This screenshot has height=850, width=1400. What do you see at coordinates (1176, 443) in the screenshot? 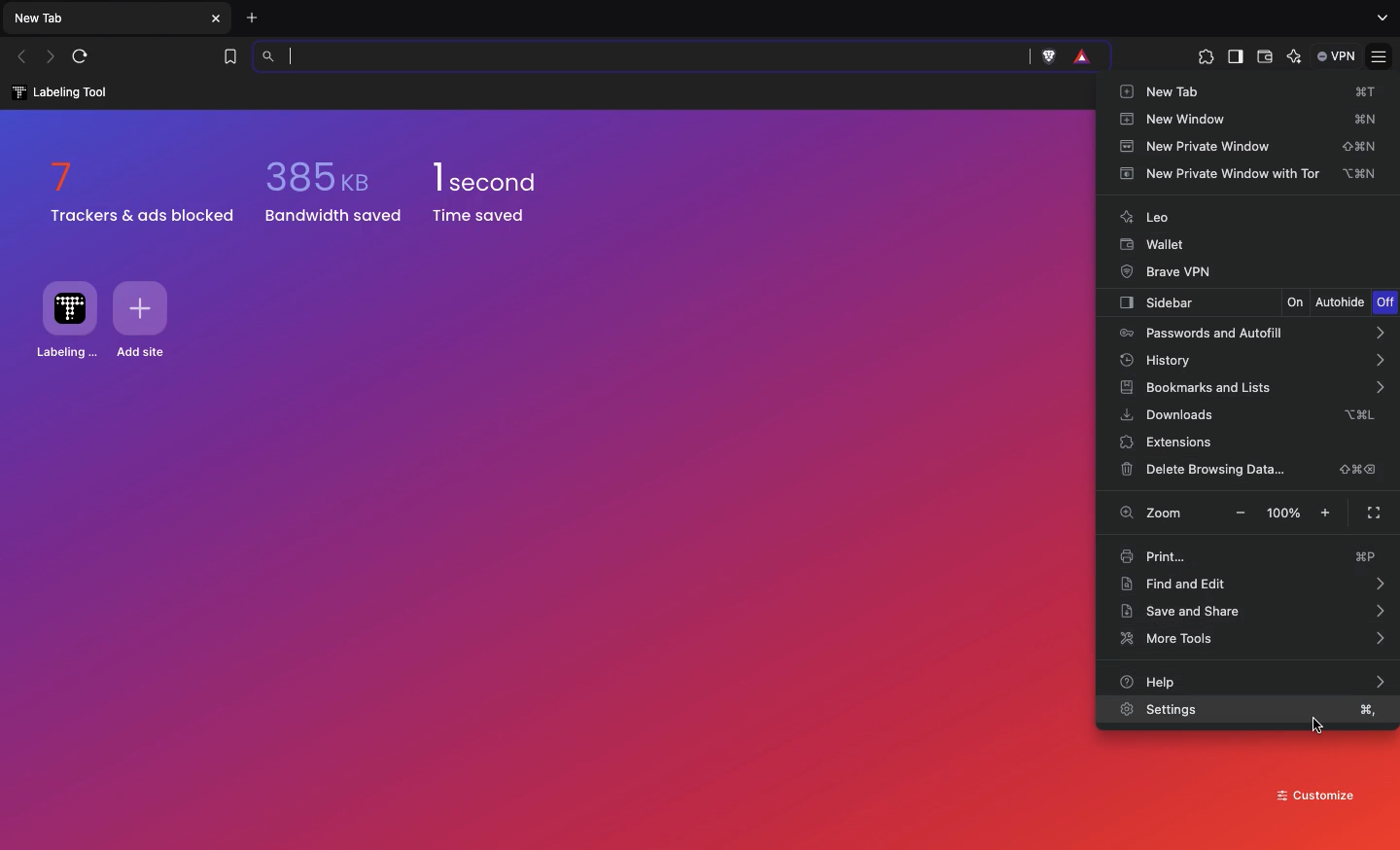
I see `Extensions` at bounding box center [1176, 443].